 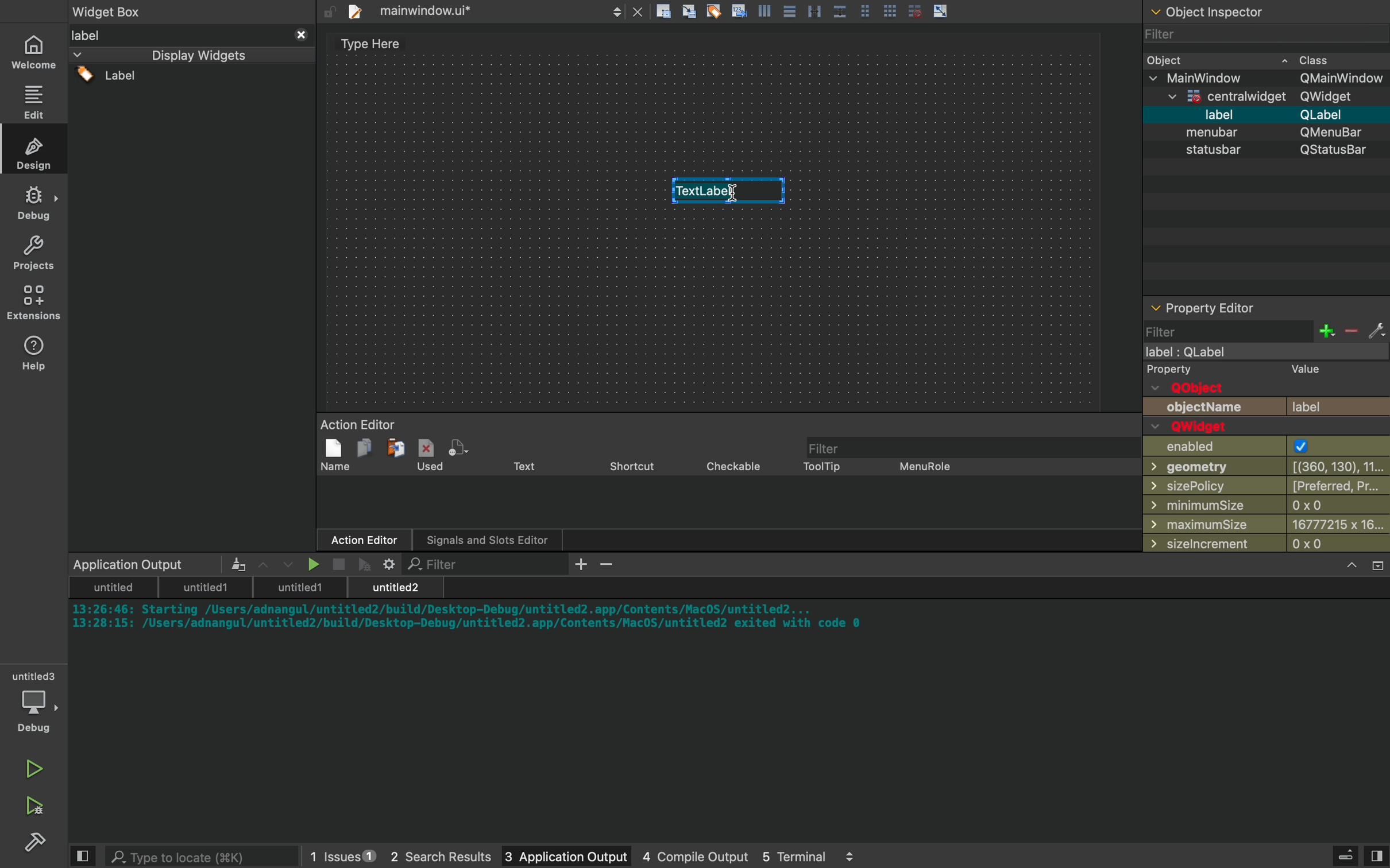 What do you see at coordinates (370, 45) in the screenshot?
I see `Type Here` at bounding box center [370, 45].